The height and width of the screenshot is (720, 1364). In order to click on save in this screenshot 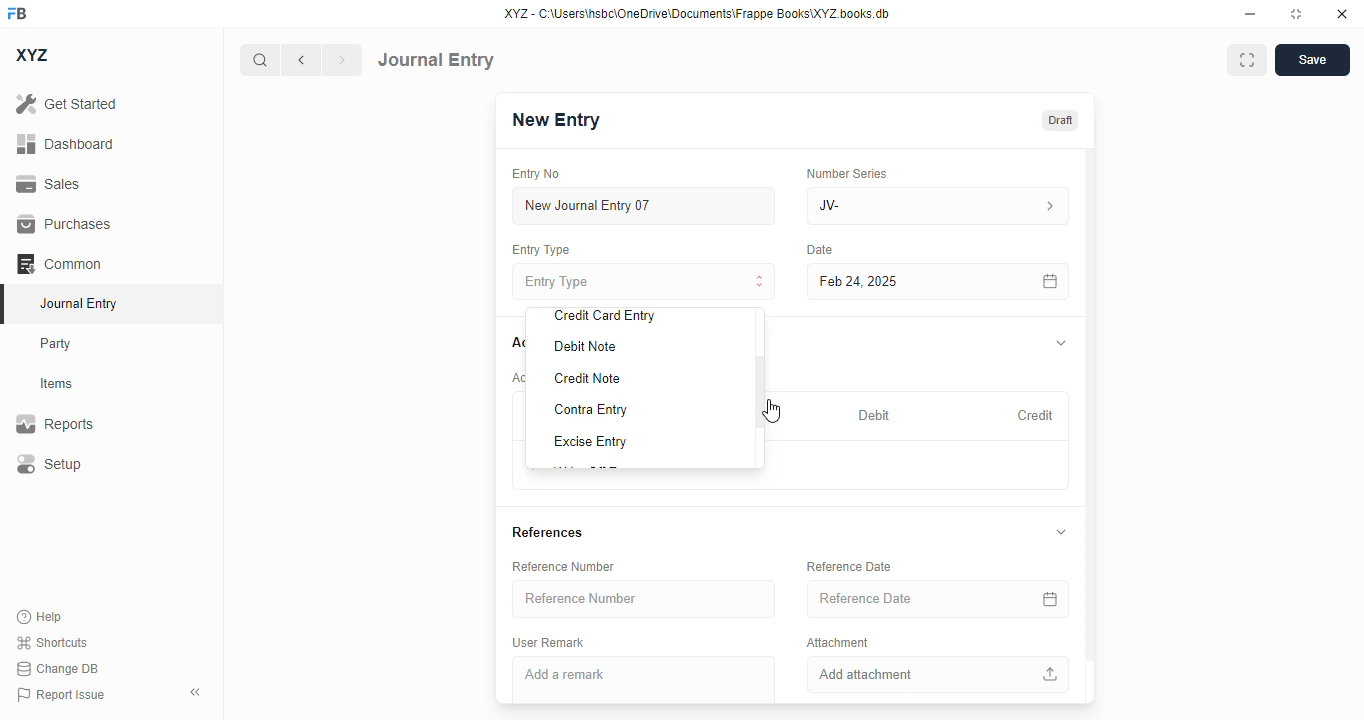, I will do `click(1312, 60)`.